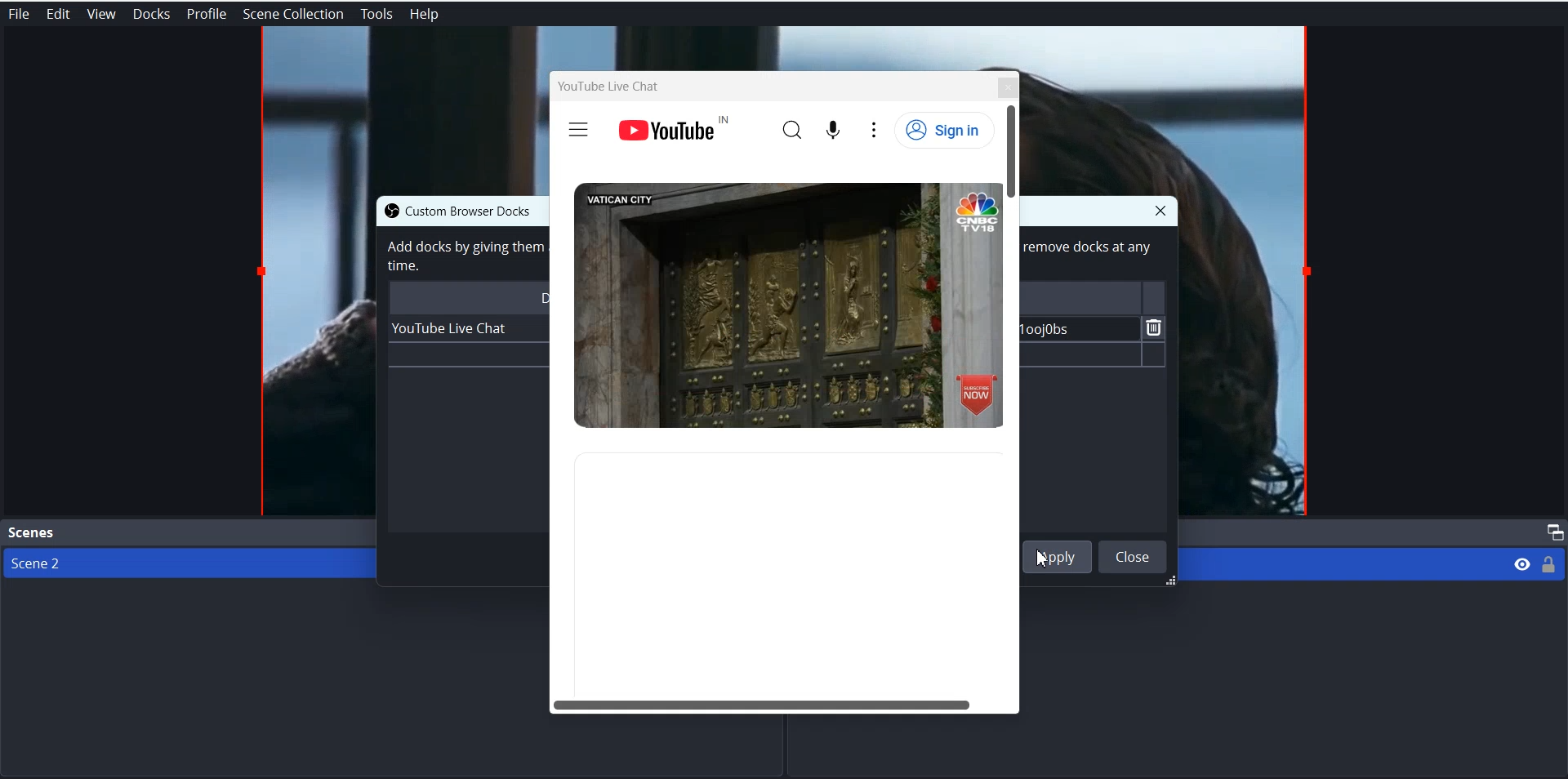 The width and height of the screenshot is (1568, 779). I want to click on Close, so click(1160, 210).